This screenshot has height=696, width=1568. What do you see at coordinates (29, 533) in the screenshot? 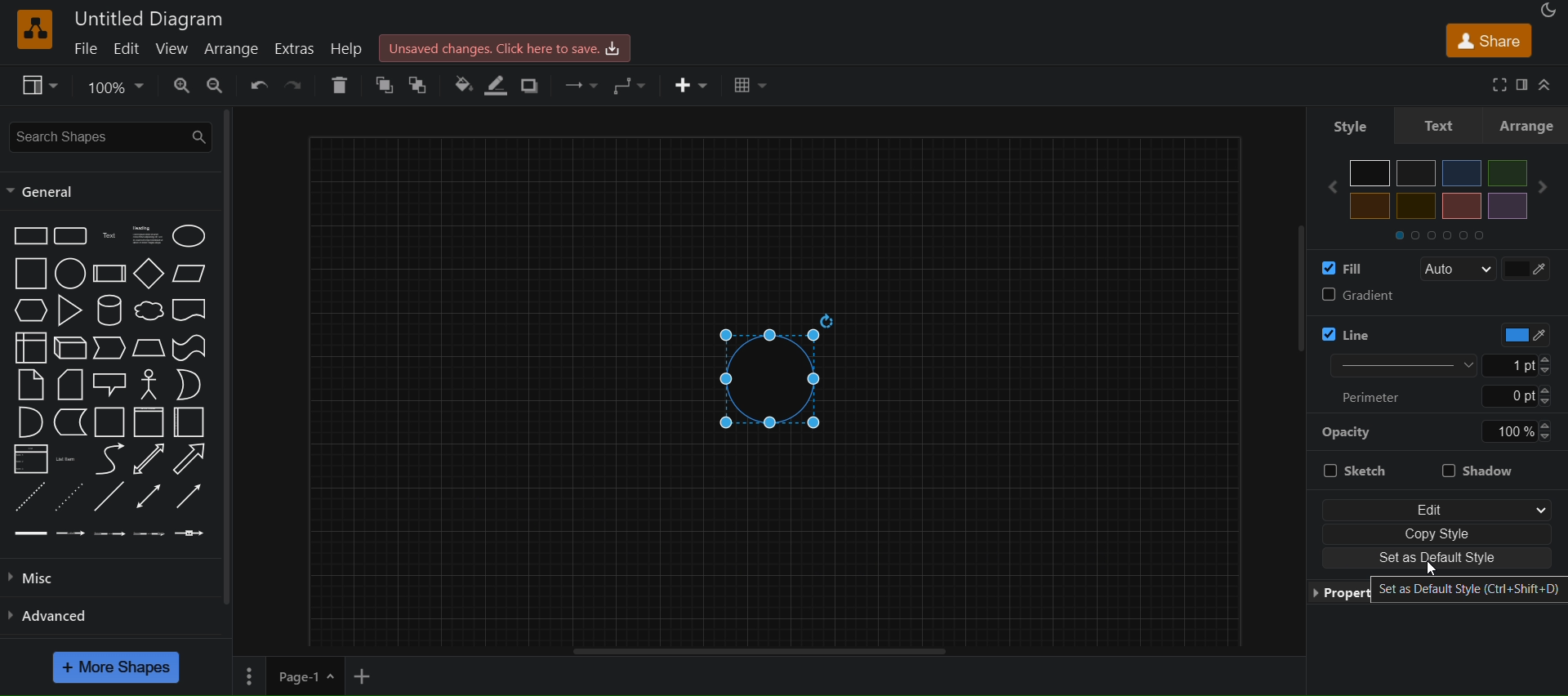
I see `connector 1` at bounding box center [29, 533].